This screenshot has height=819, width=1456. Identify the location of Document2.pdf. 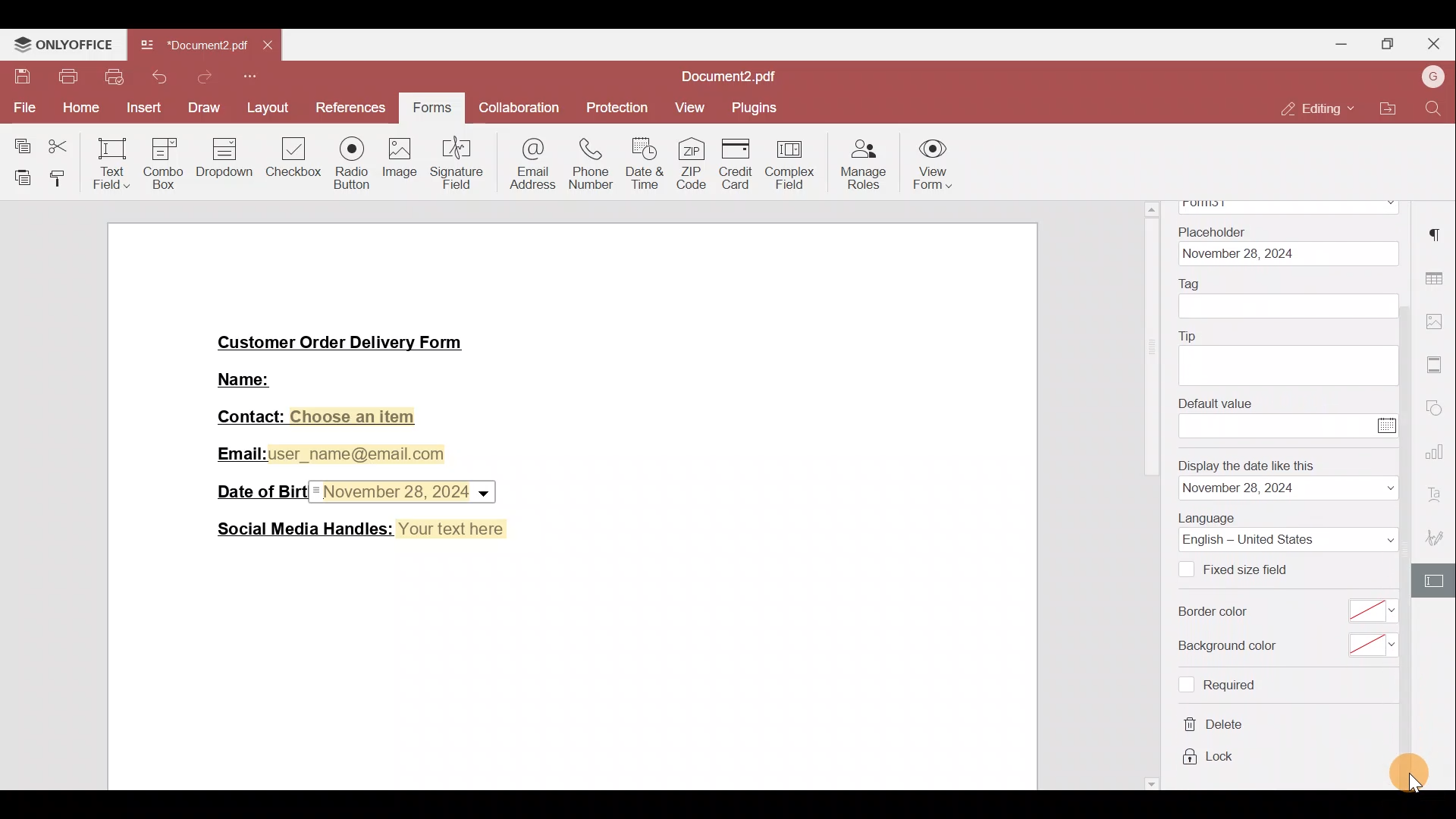
(720, 77).